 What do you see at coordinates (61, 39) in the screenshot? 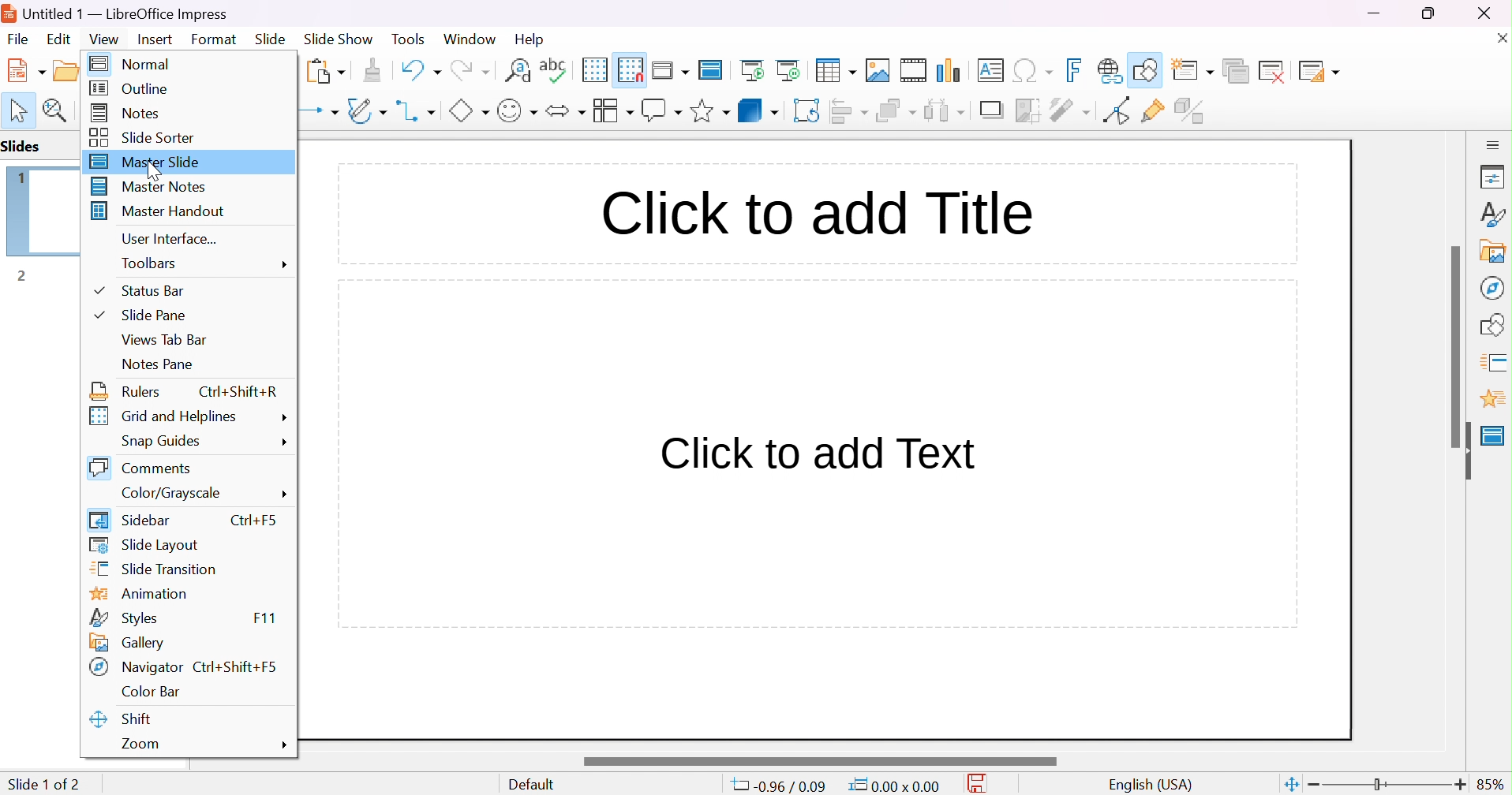
I see `edit` at bounding box center [61, 39].